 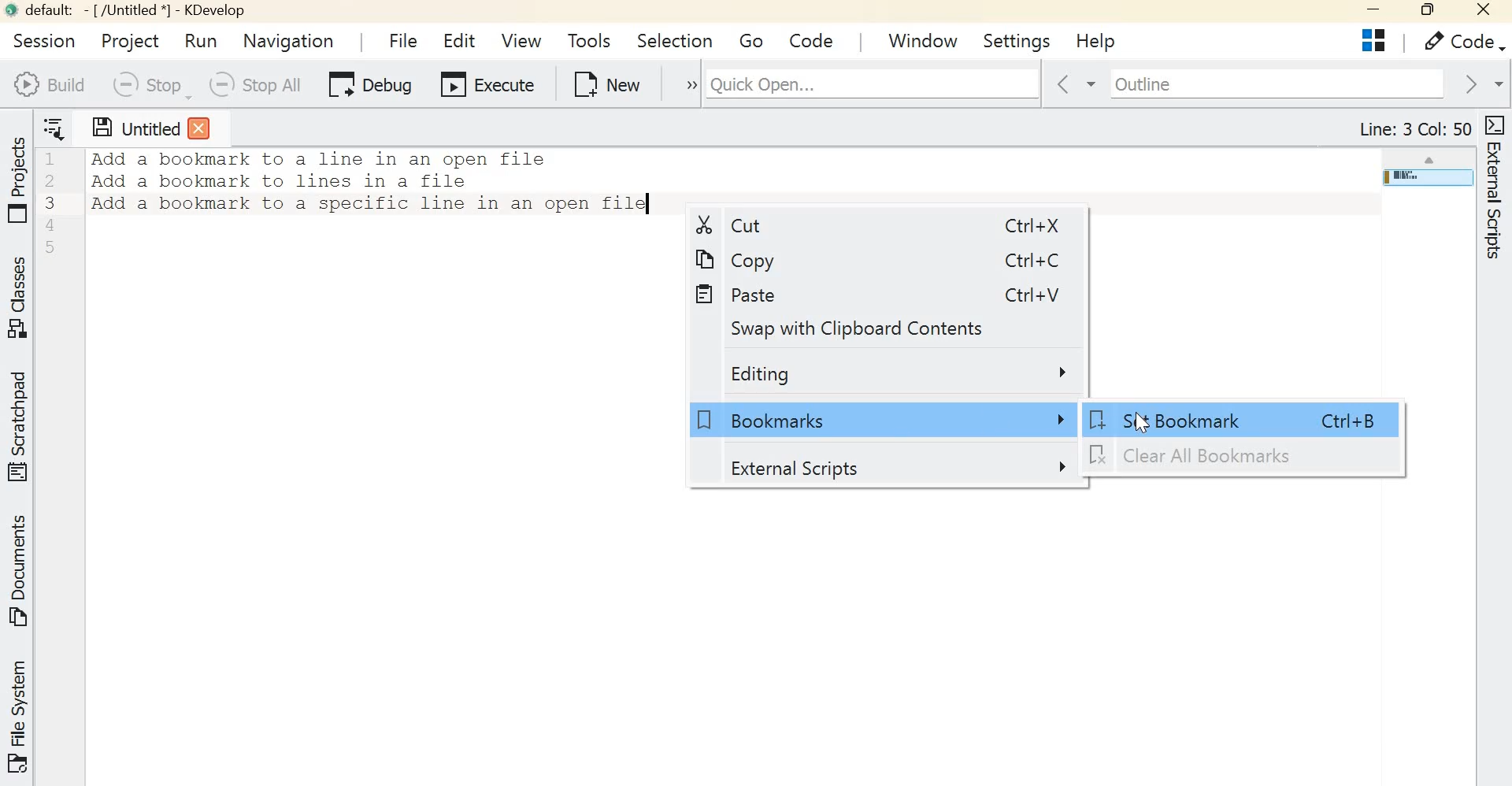 What do you see at coordinates (1097, 41) in the screenshot?
I see `Help` at bounding box center [1097, 41].